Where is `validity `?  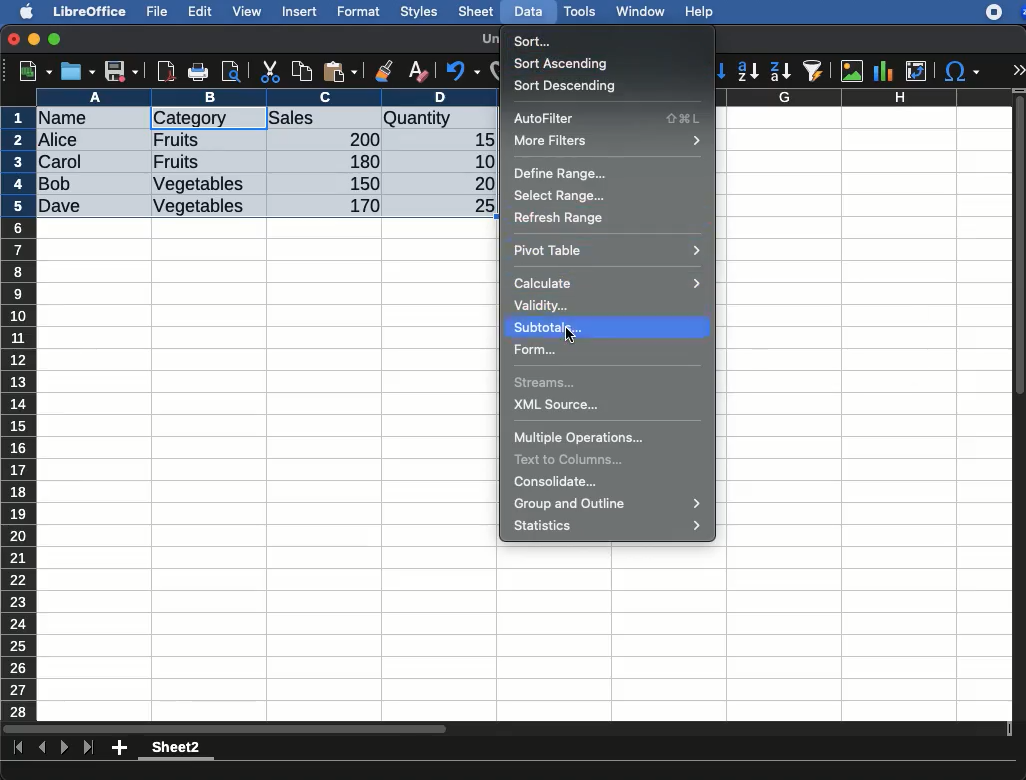
validity  is located at coordinates (543, 305).